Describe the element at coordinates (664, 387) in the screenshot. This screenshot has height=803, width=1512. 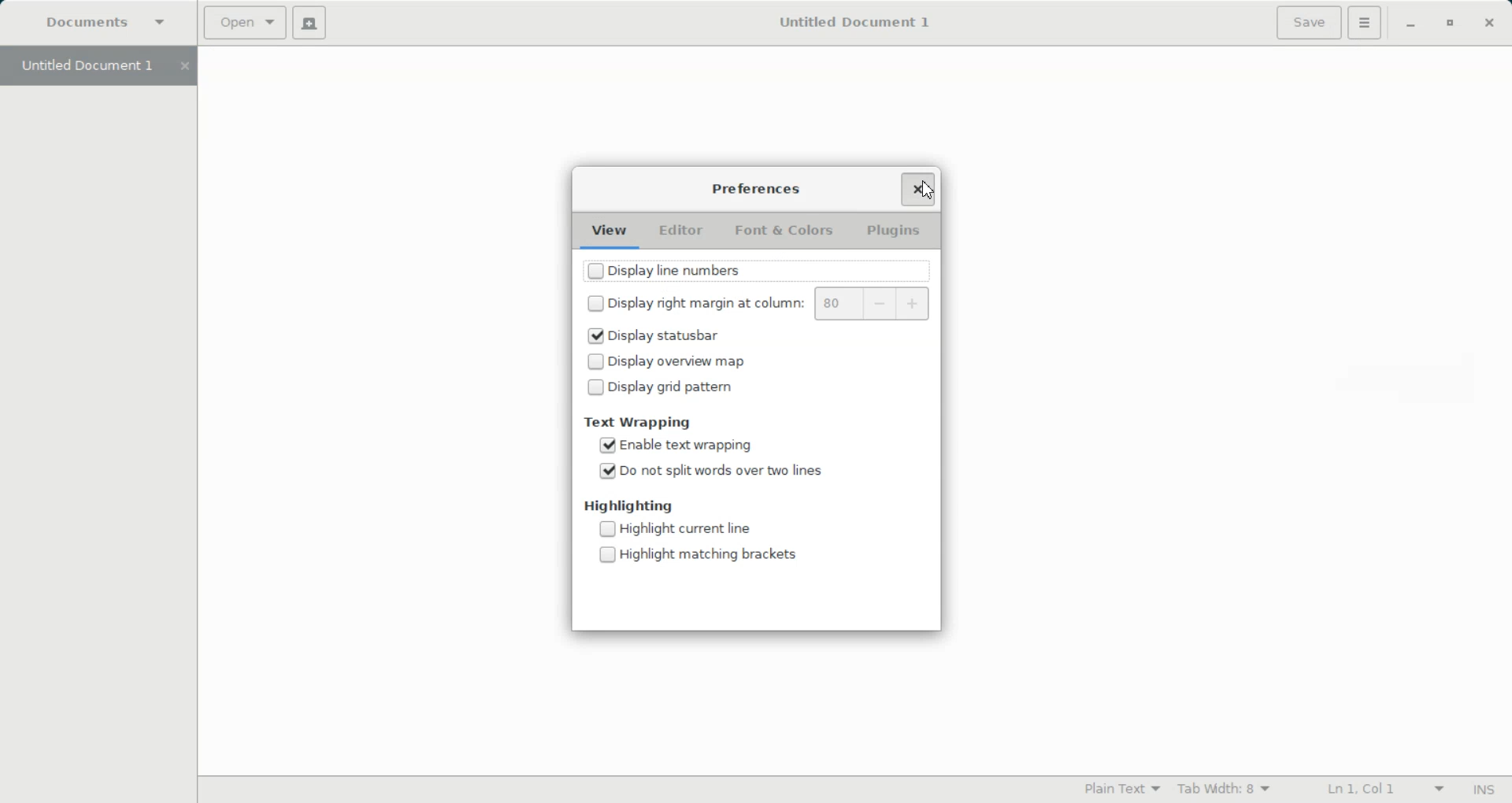
I see `(un)check Disable Display grid pattern` at that location.